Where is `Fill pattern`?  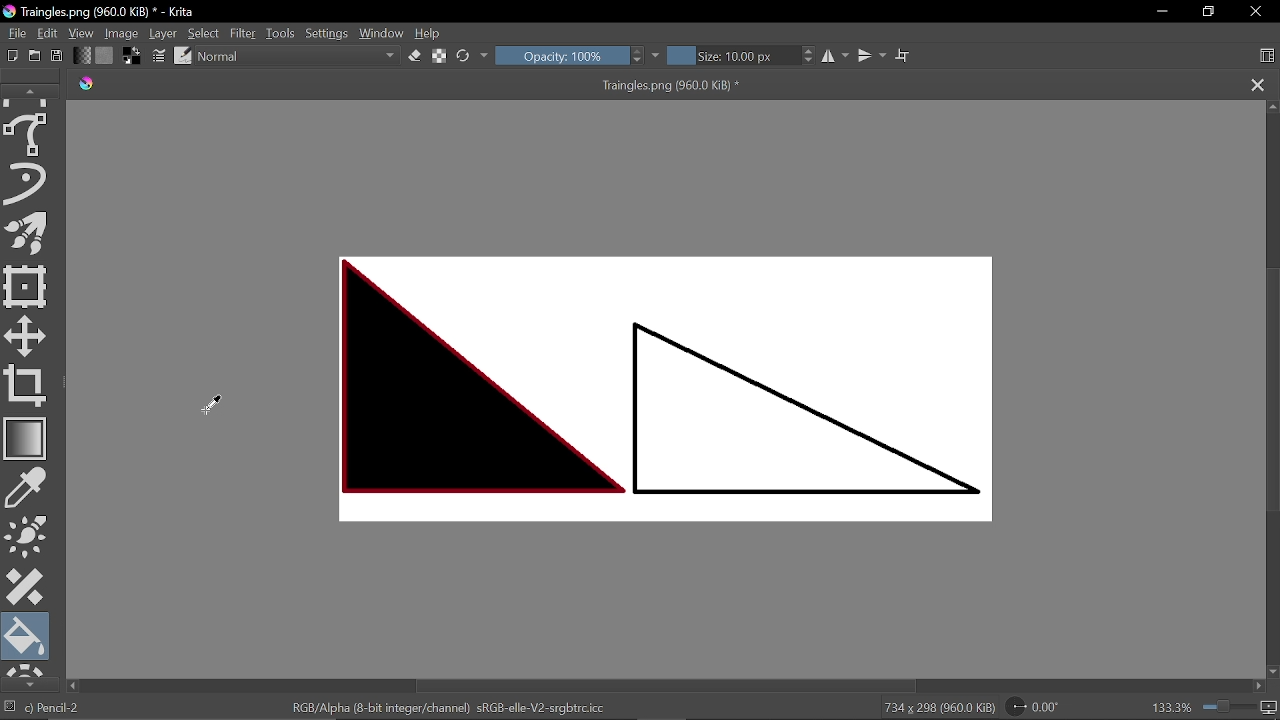
Fill pattern is located at coordinates (105, 55).